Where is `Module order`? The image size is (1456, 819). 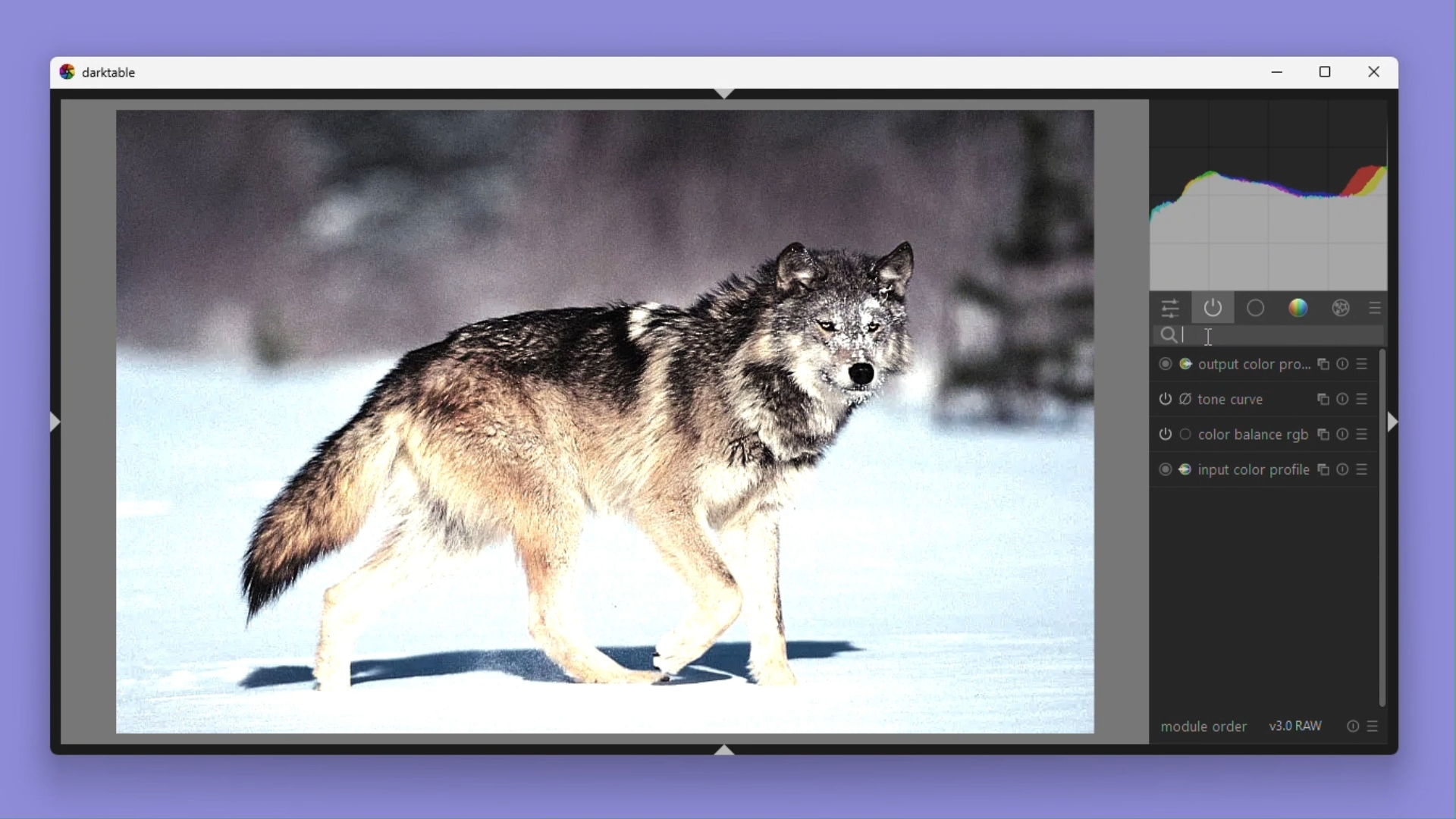
Module order is located at coordinates (1201, 725).